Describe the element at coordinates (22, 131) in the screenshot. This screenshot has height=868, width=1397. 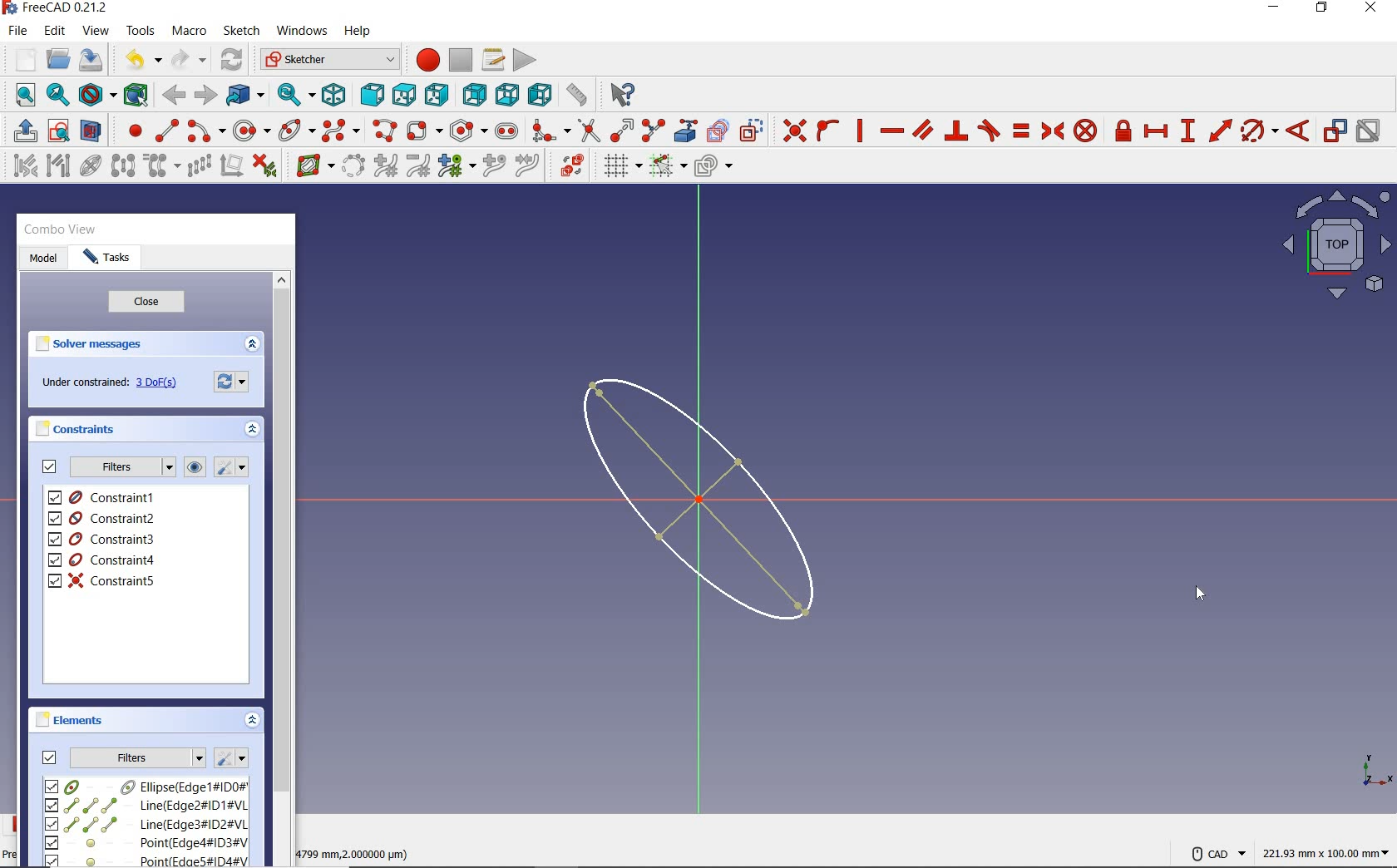
I see `leave sketch` at that location.